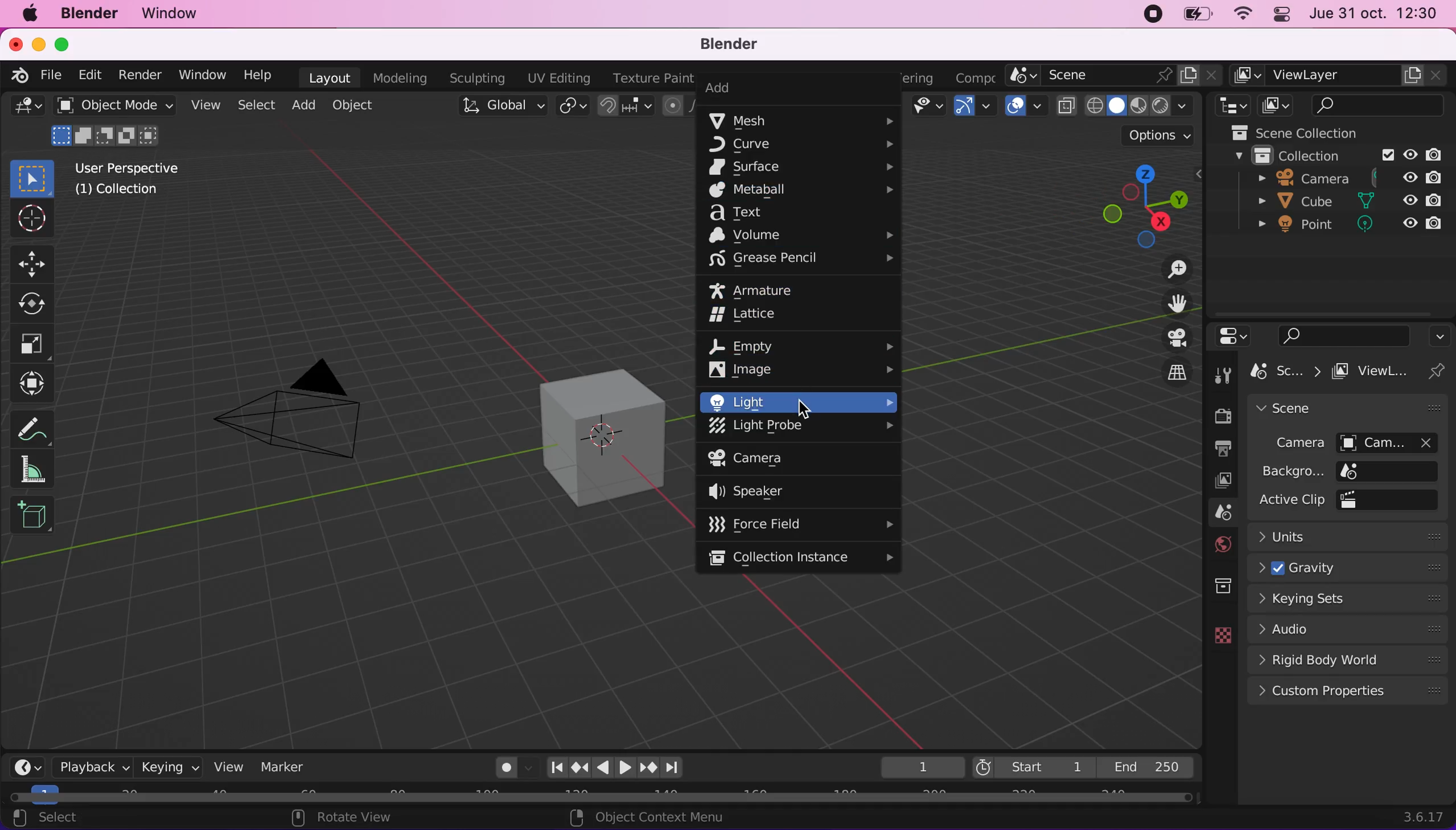 The height and width of the screenshot is (830, 1456). What do you see at coordinates (1351, 539) in the screenshot?
I see `units` at bounding box center [1351, 539].